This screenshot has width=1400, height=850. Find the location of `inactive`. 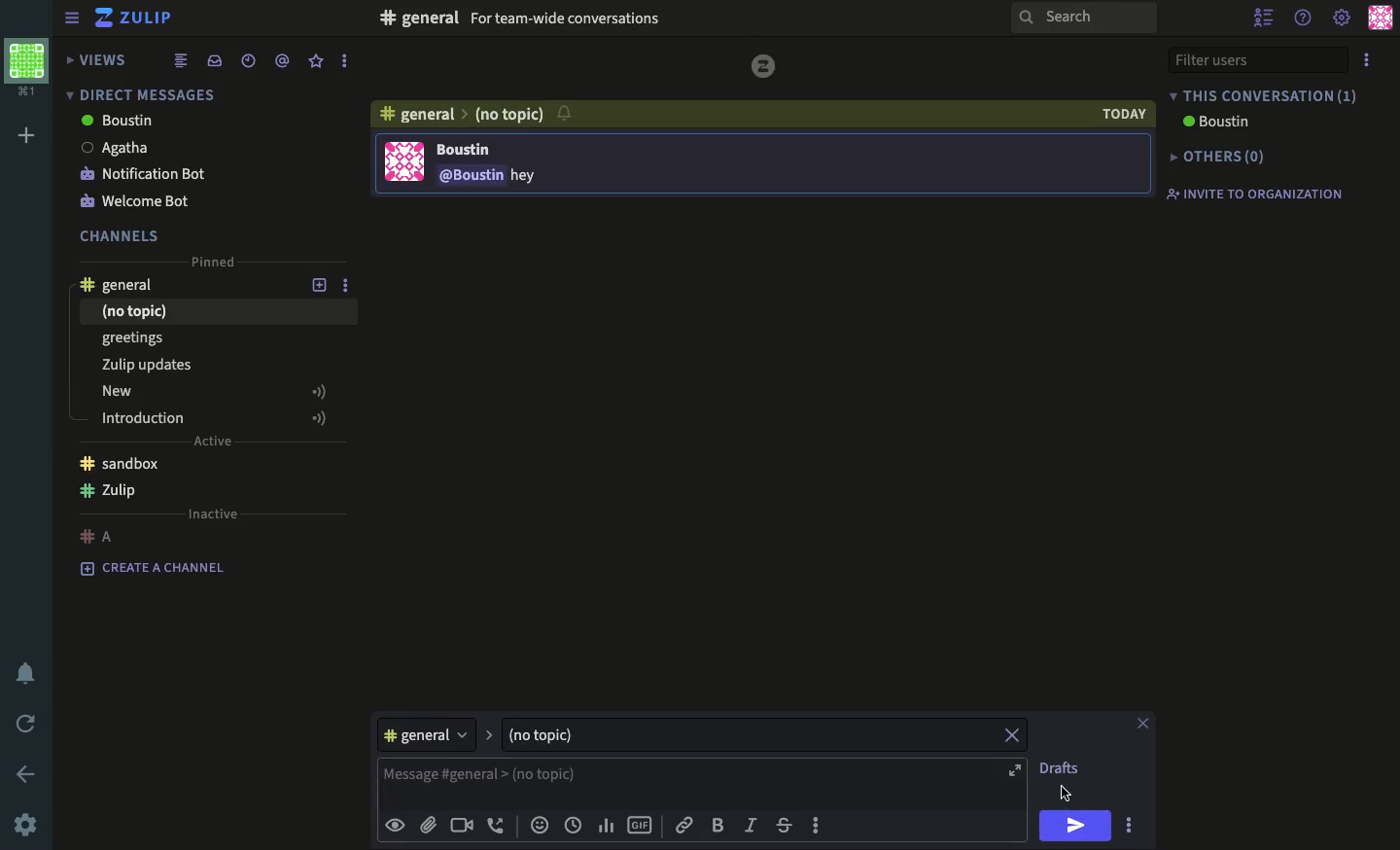

inactive is located at coordinates (211, 515).